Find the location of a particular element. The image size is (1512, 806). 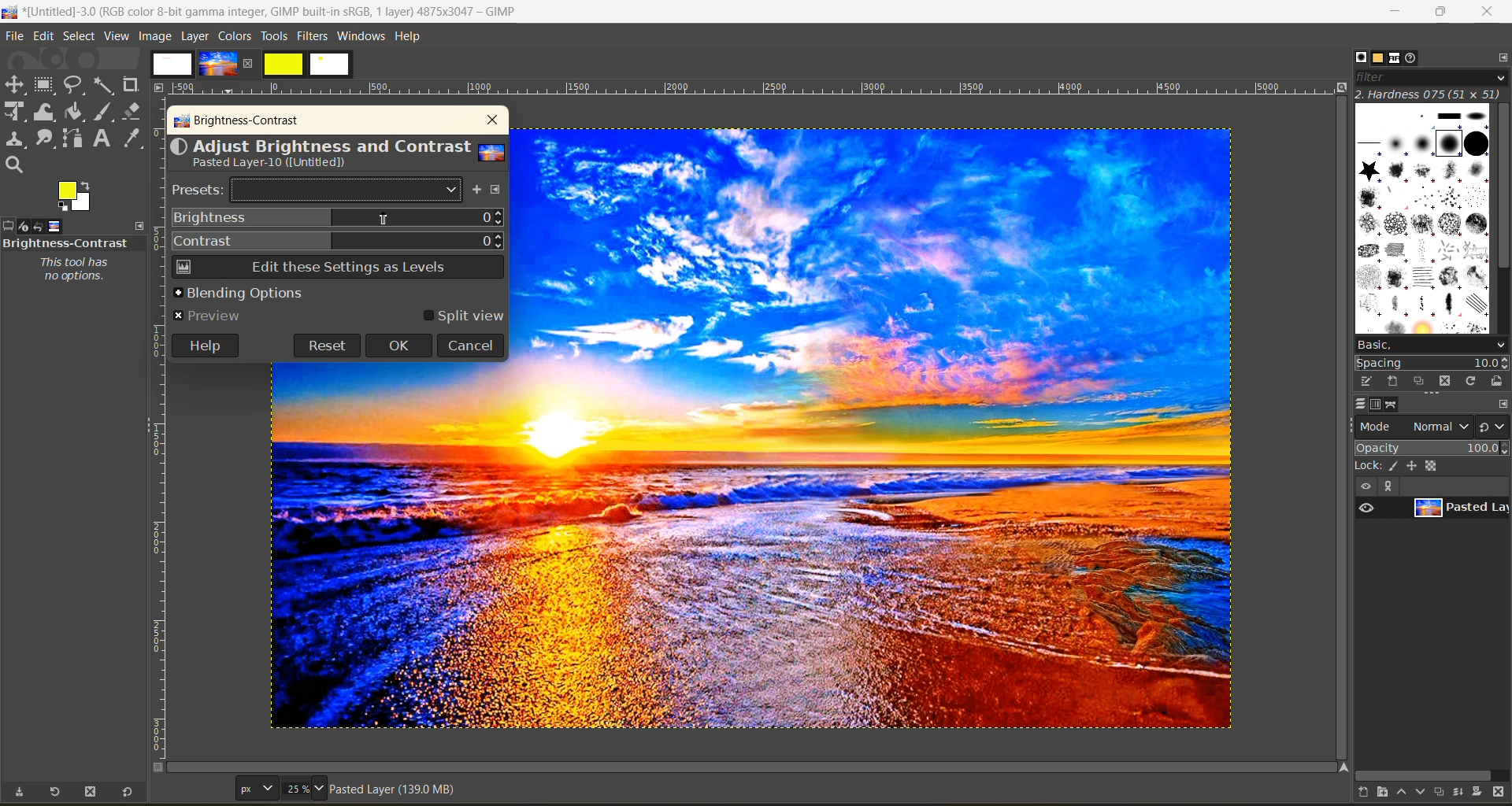

blending options is located at coordinates (238, 292).